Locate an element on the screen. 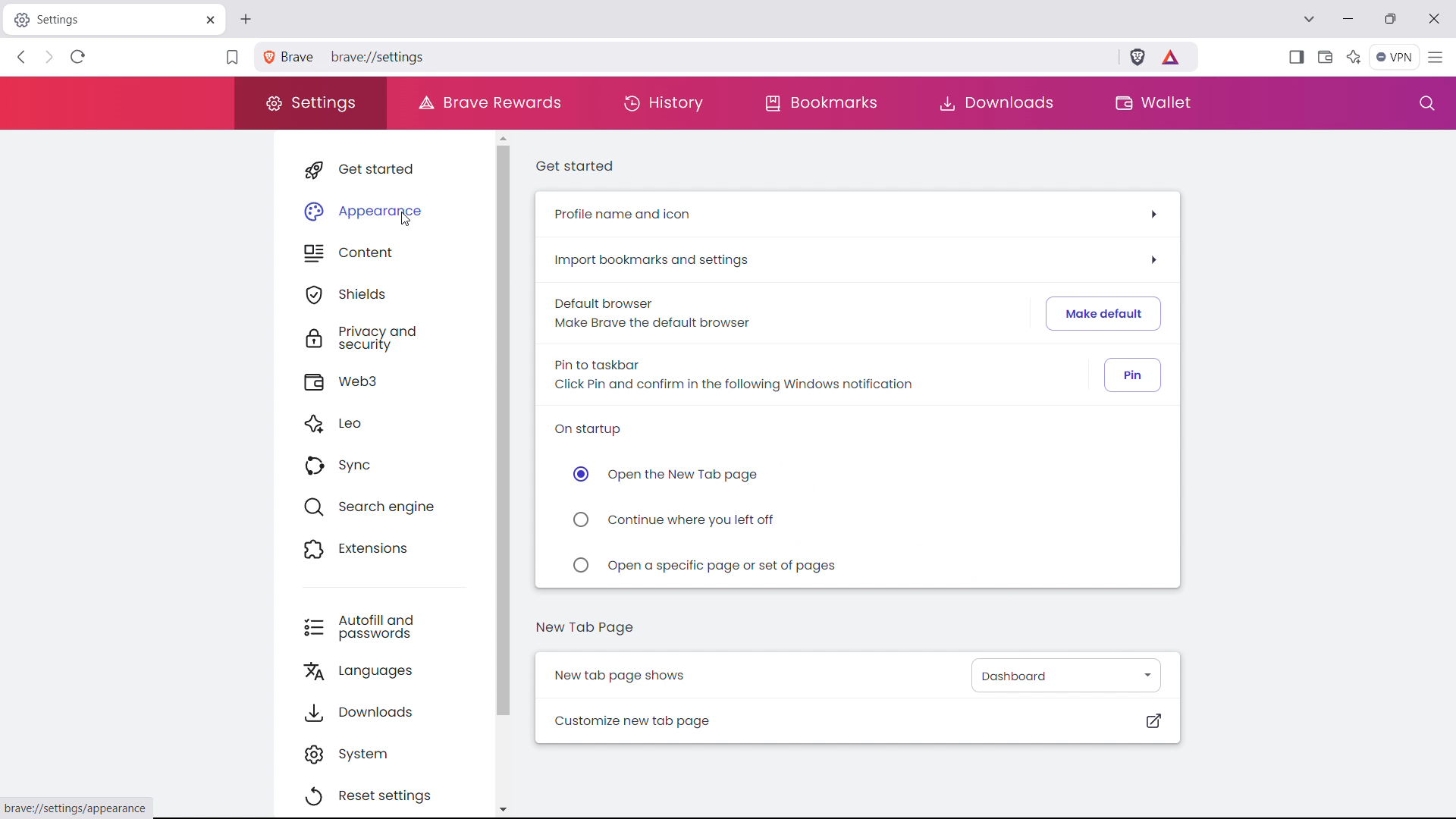  settings is located at coordinates (311, 103).